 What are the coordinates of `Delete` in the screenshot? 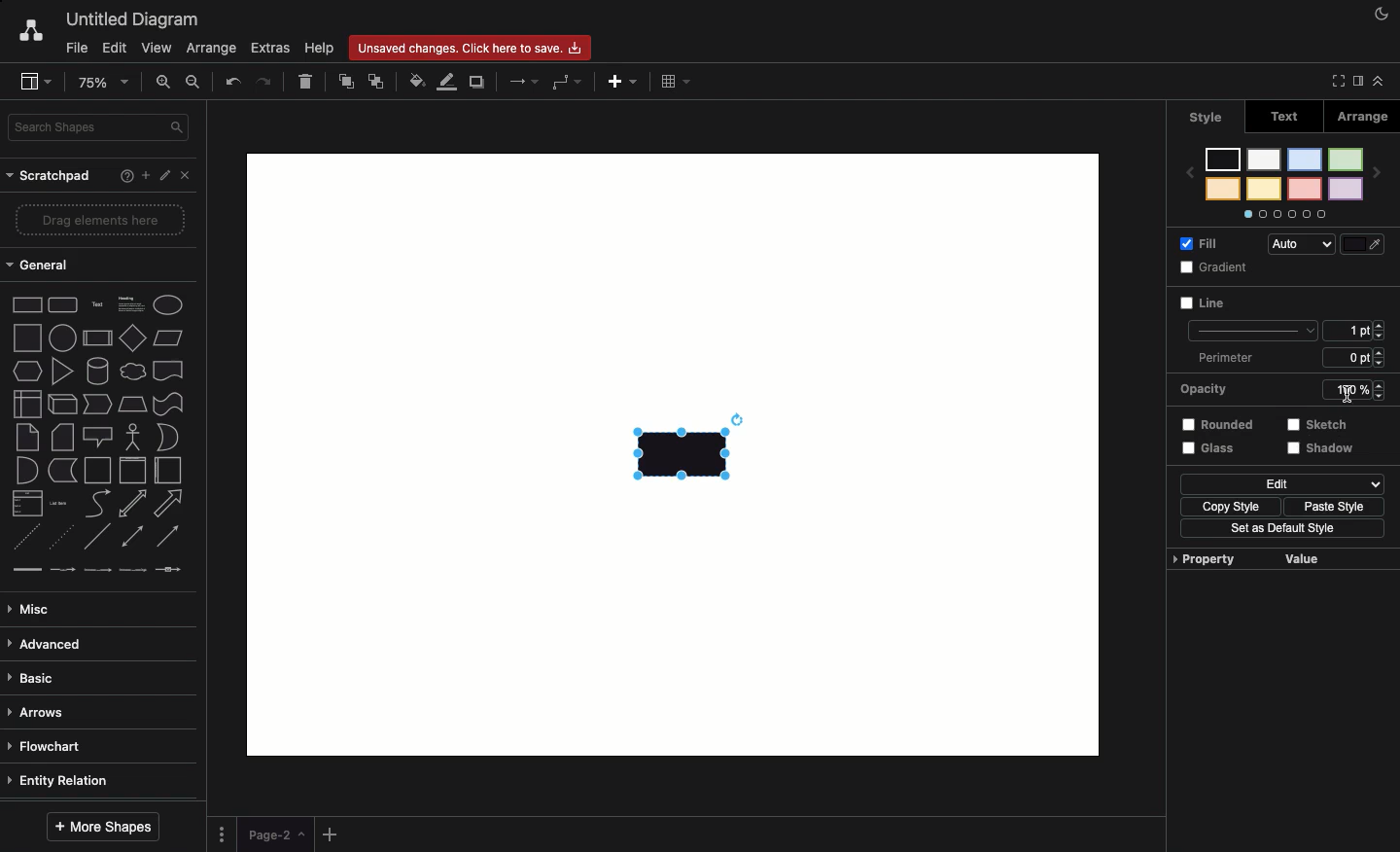 It's located at (310, 84).